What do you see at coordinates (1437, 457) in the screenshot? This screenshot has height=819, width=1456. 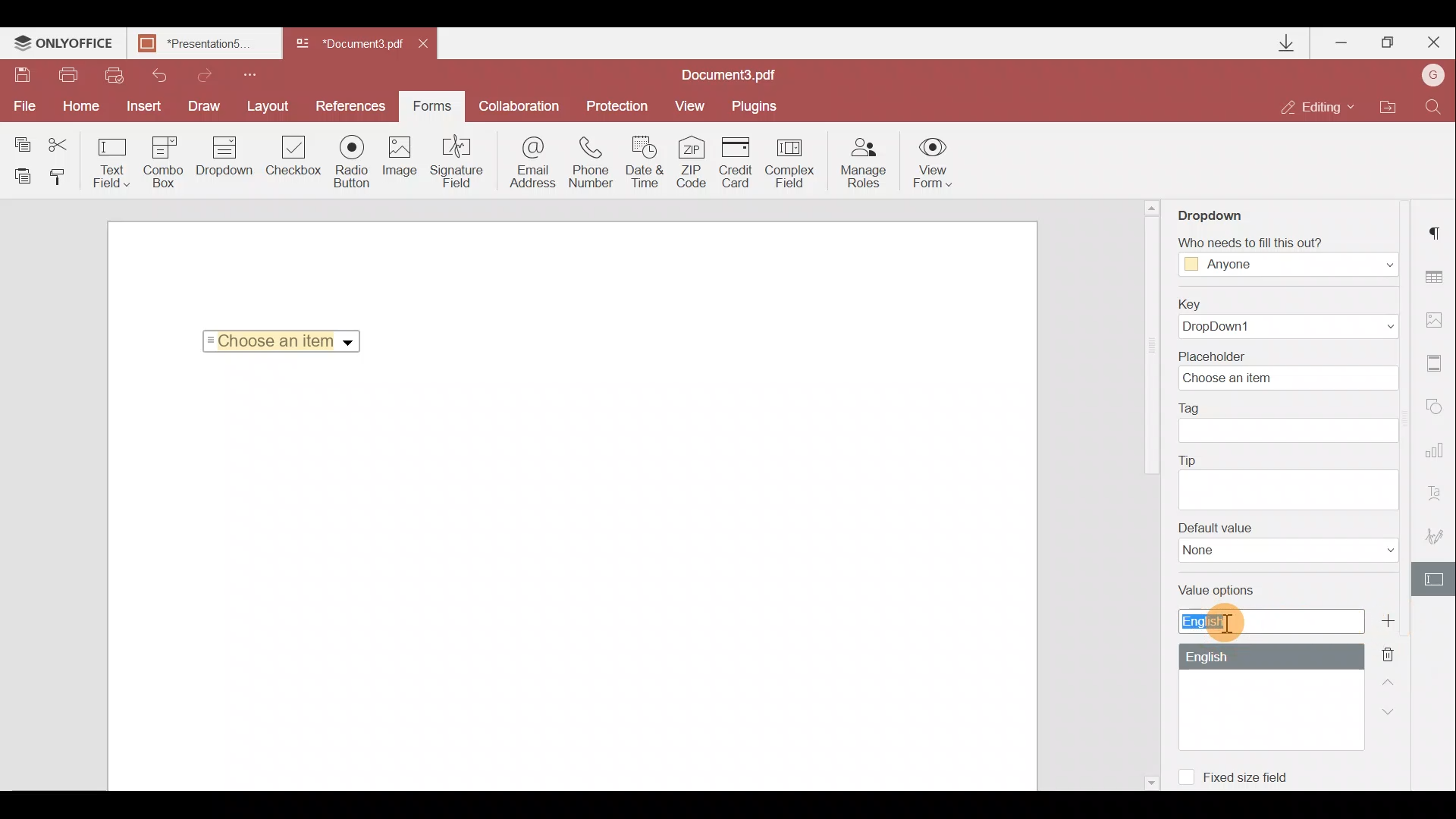 I see `Chart settings` at bounding box center [1437, 457].